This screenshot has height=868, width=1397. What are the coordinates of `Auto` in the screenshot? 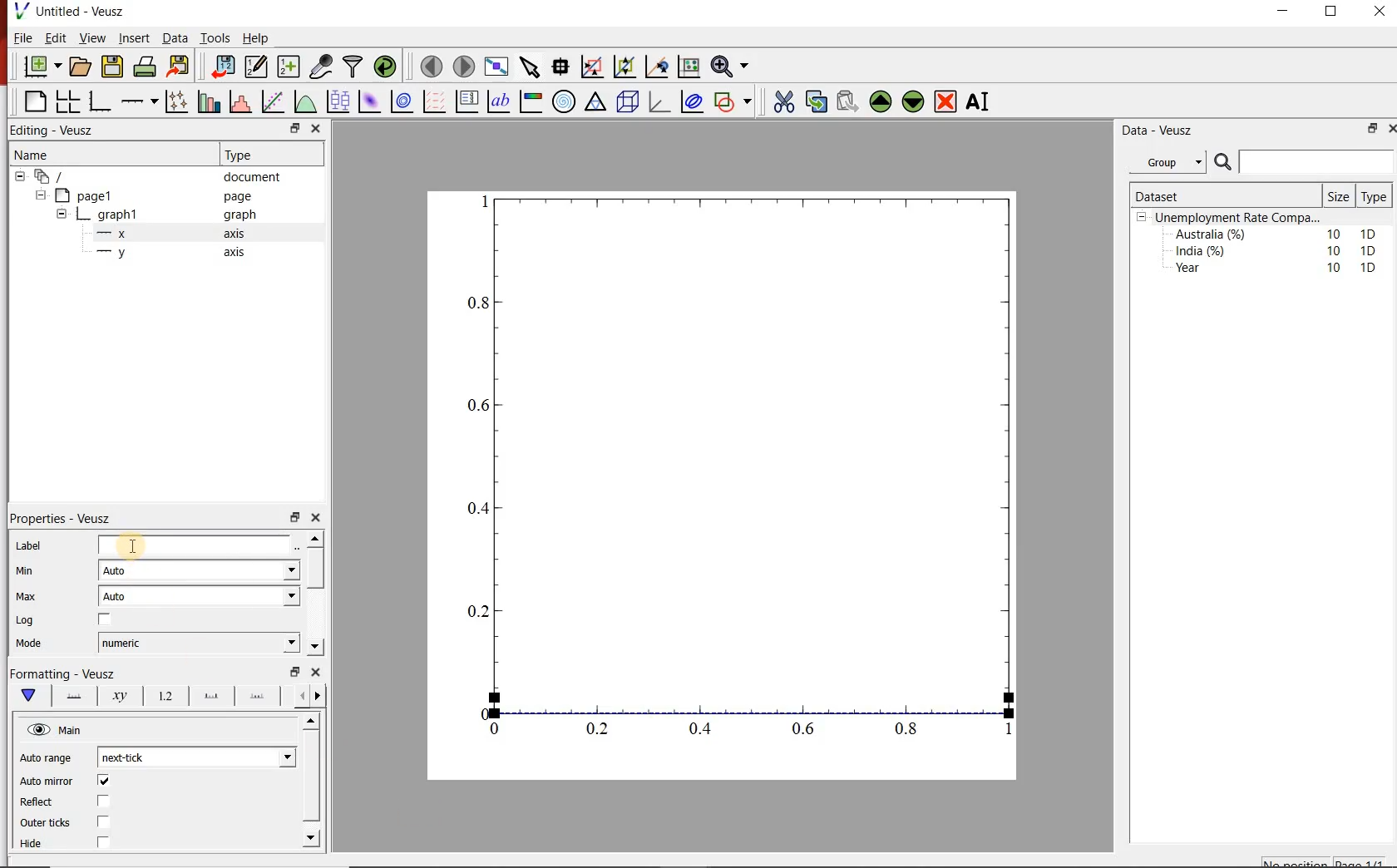 It's located at (200, 570).